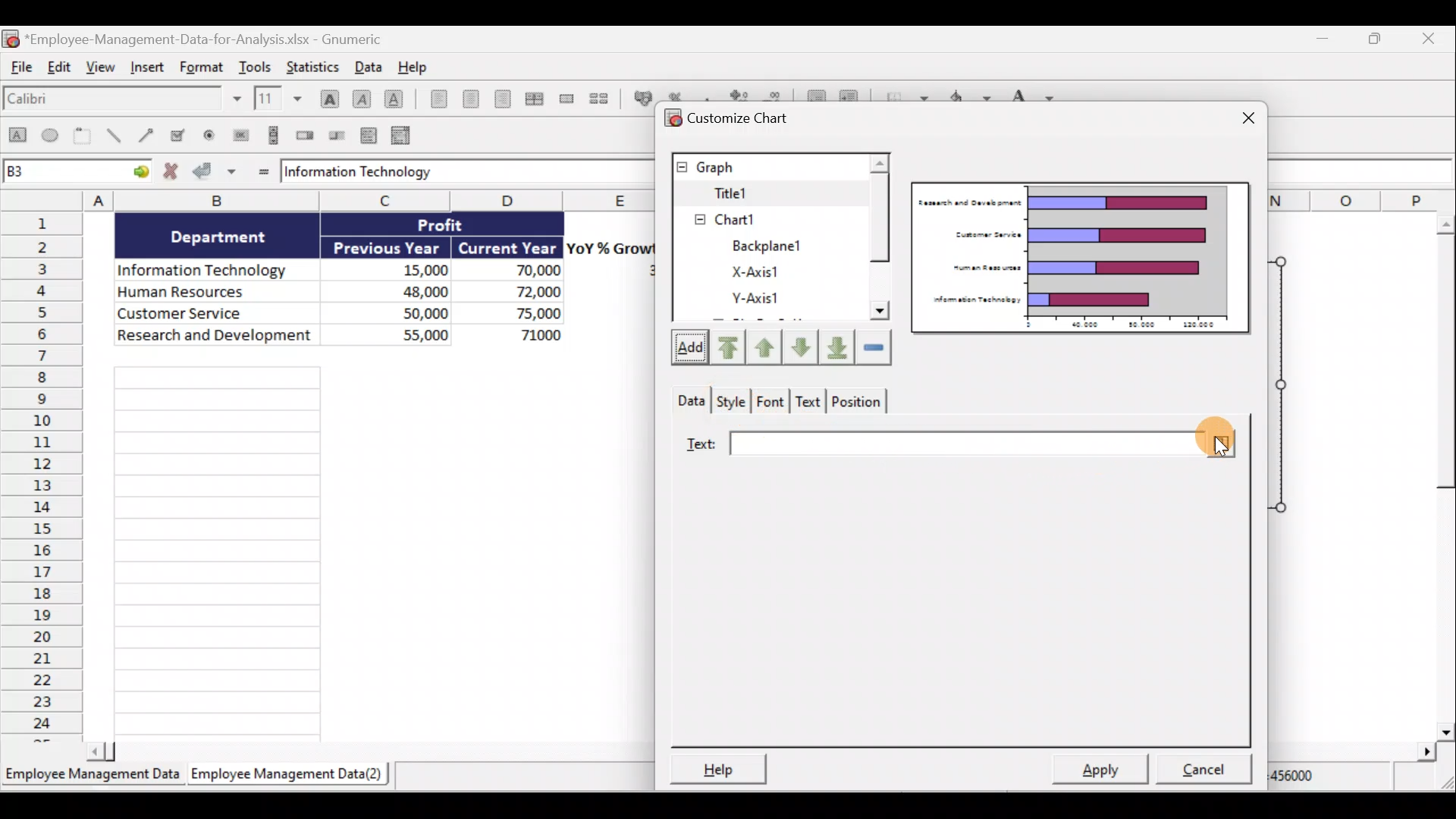  I want to click on Employee Management Data, so click(92, 773).